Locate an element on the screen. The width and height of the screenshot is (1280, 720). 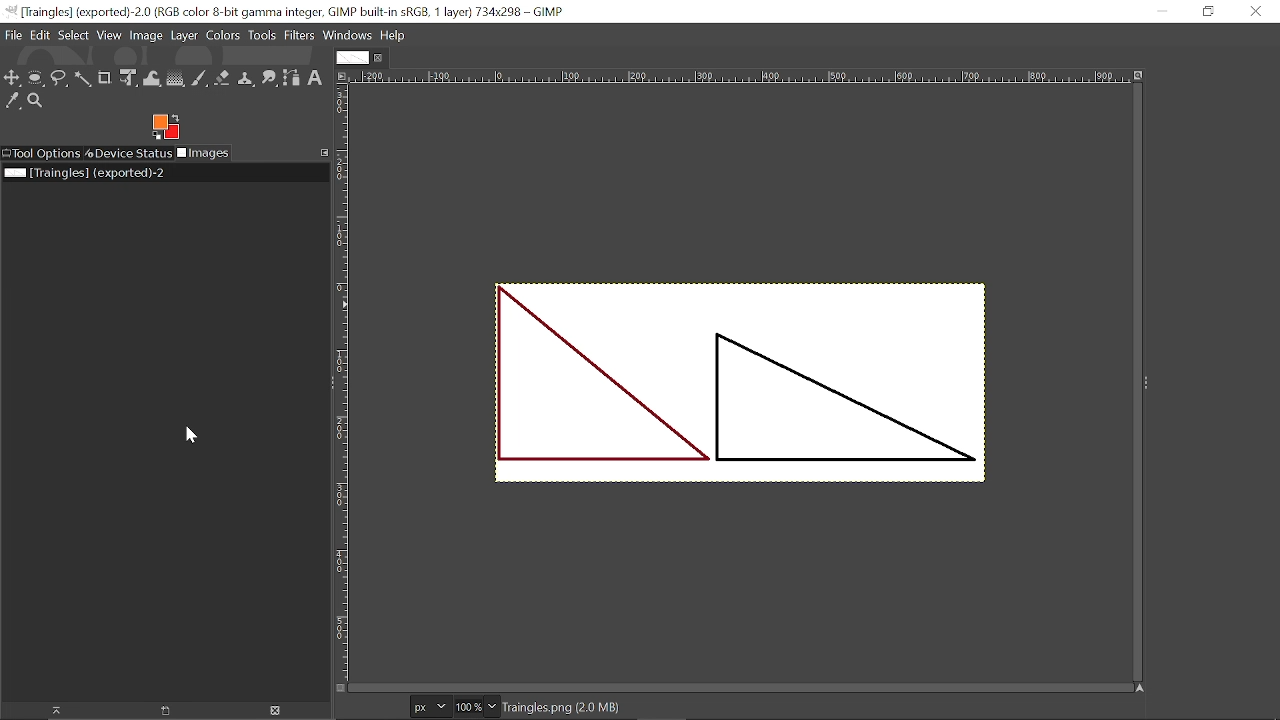
Minimize is located at coordinates (1159, 12).